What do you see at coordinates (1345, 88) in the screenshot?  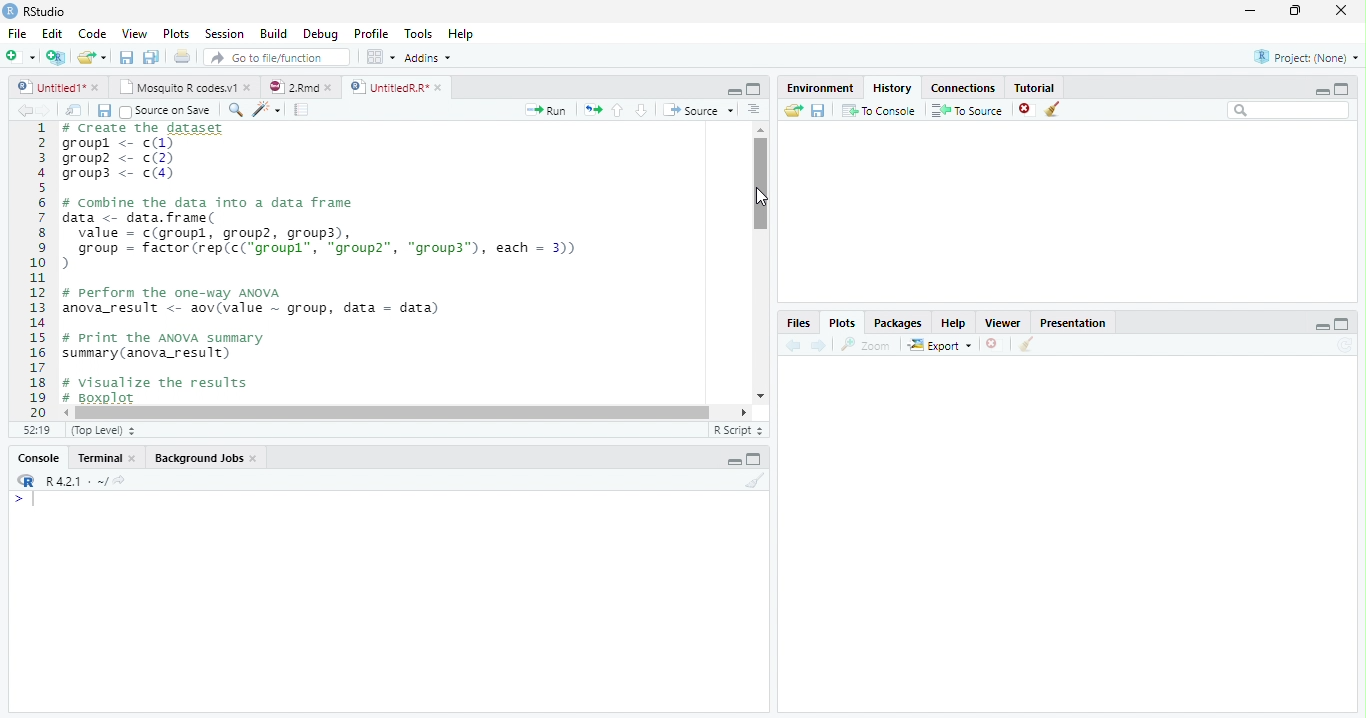 I see `maximize` at bounding box center [1345, 88].